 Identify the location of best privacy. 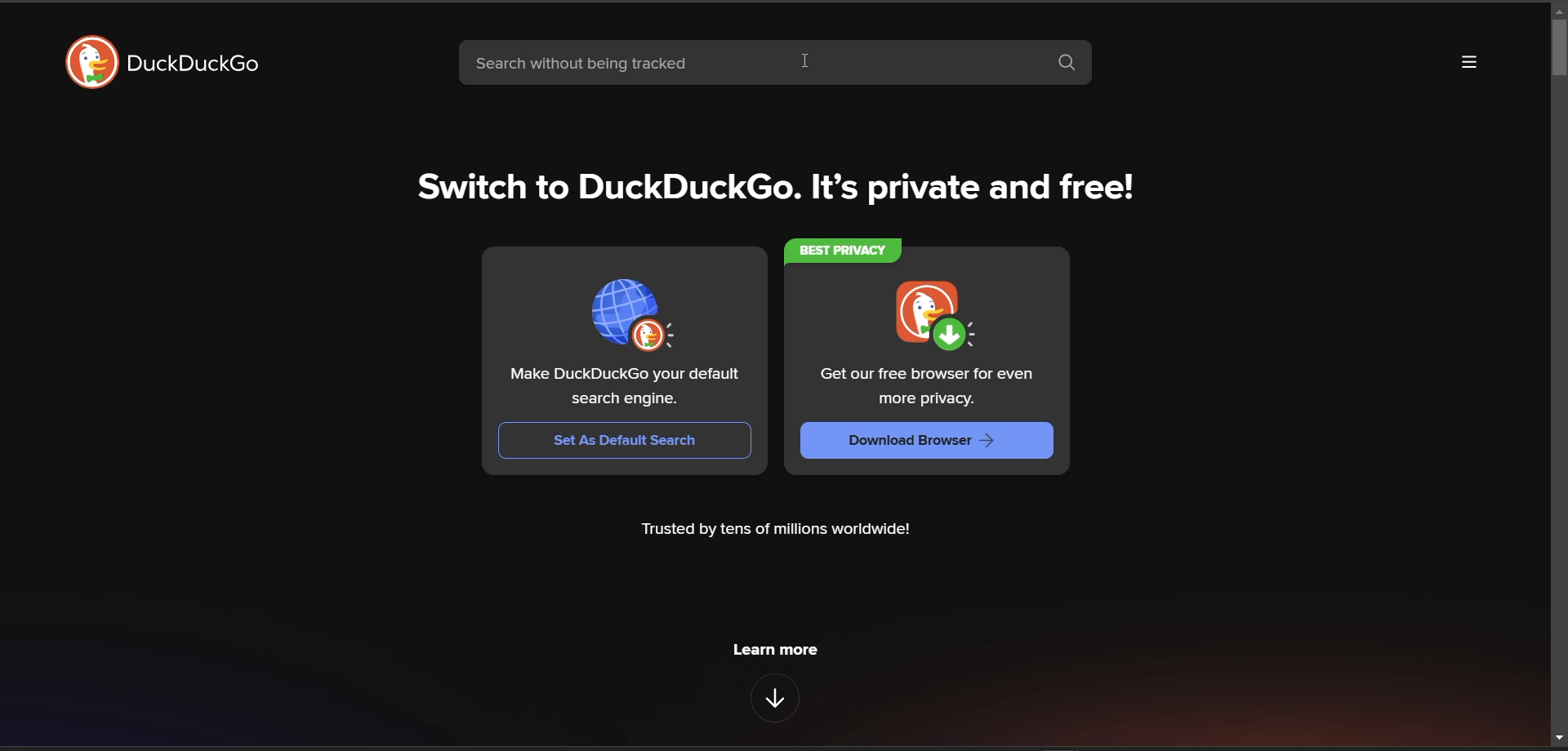
(838, 248).